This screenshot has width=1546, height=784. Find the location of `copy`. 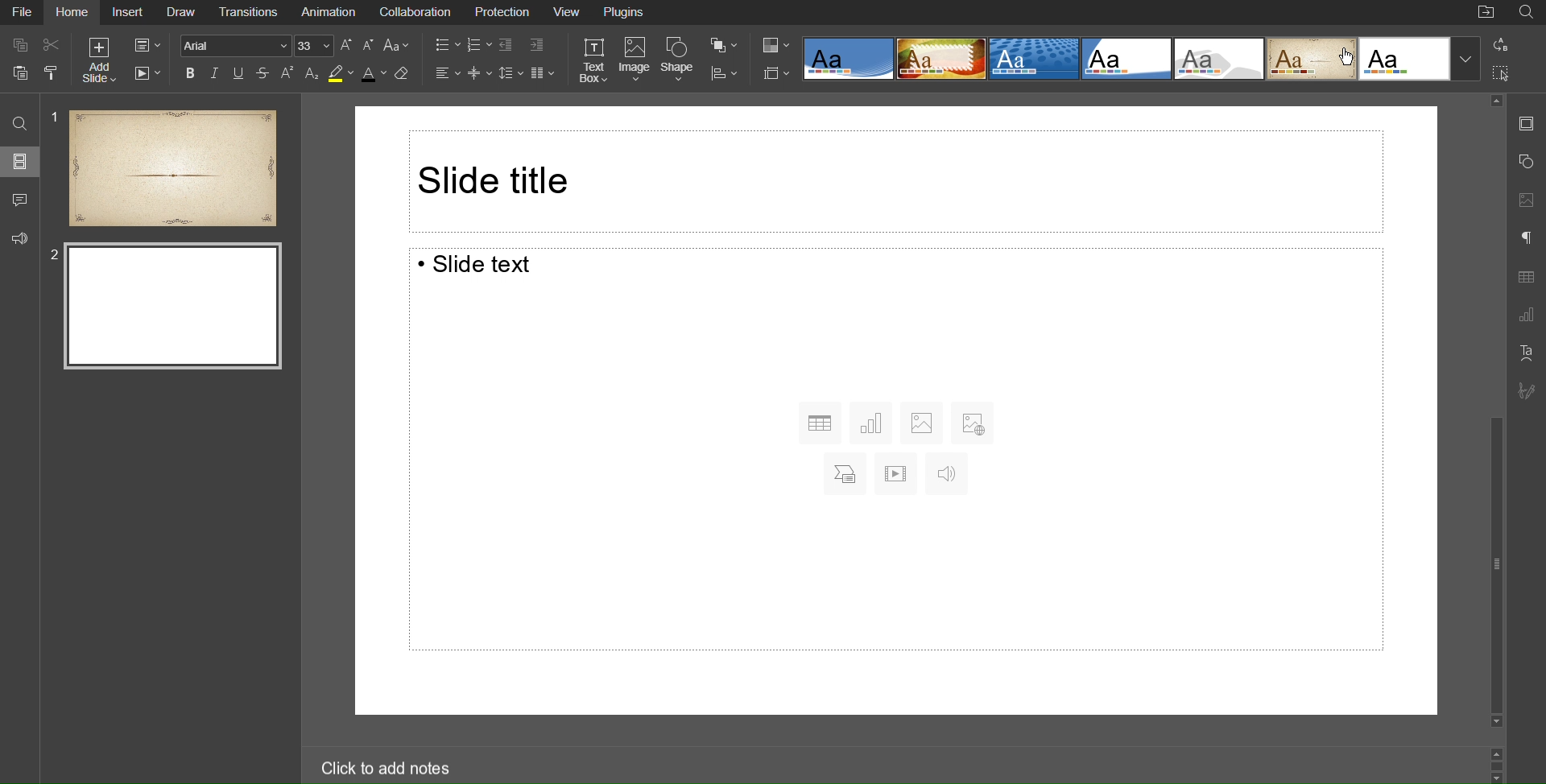

copy is located at coordinates (22, 47).